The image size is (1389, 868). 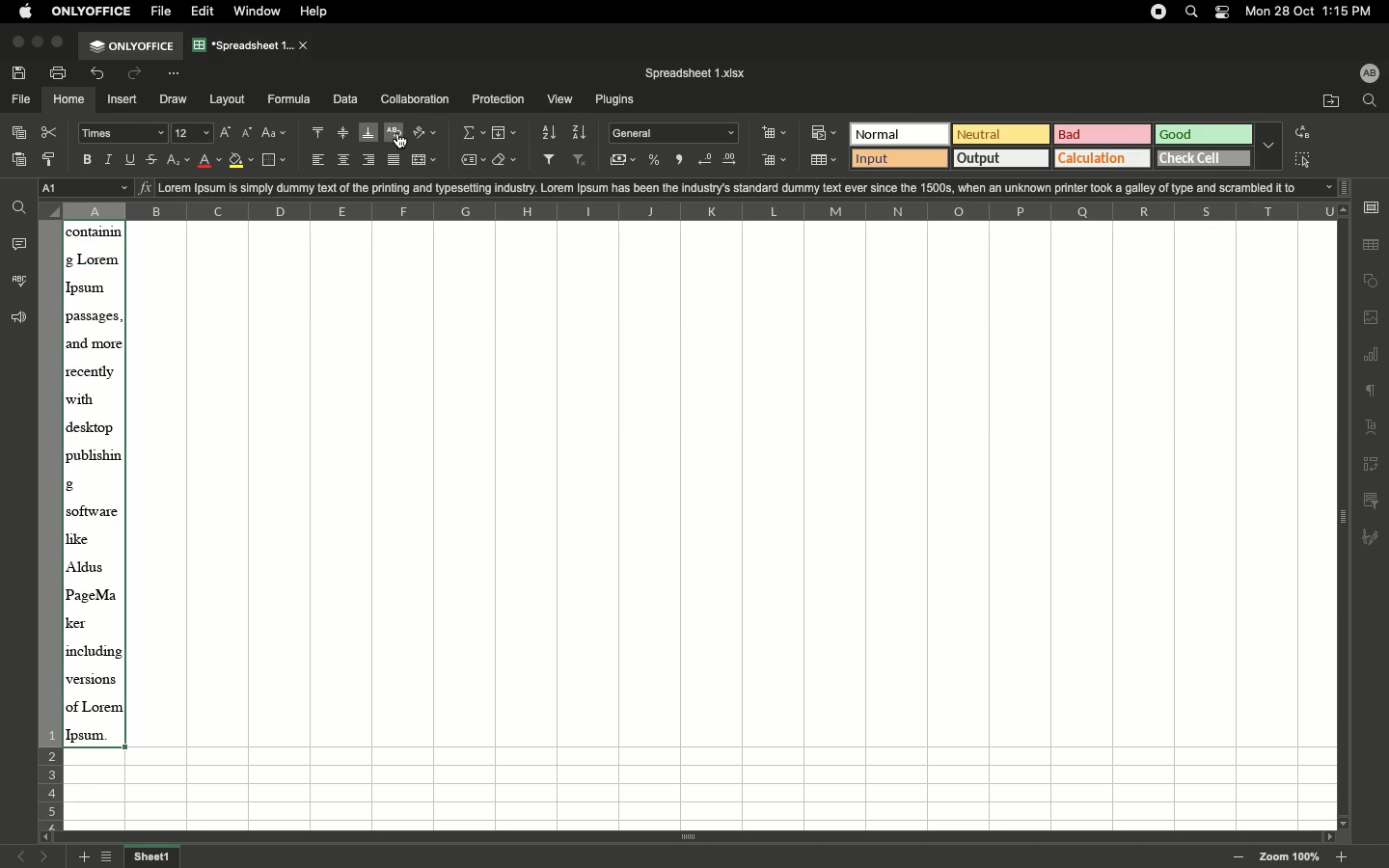 What do you see at coordinates (694, 838) in the screenshot?
I see `horizontal scrollbar` at bounding box center [694, 838].